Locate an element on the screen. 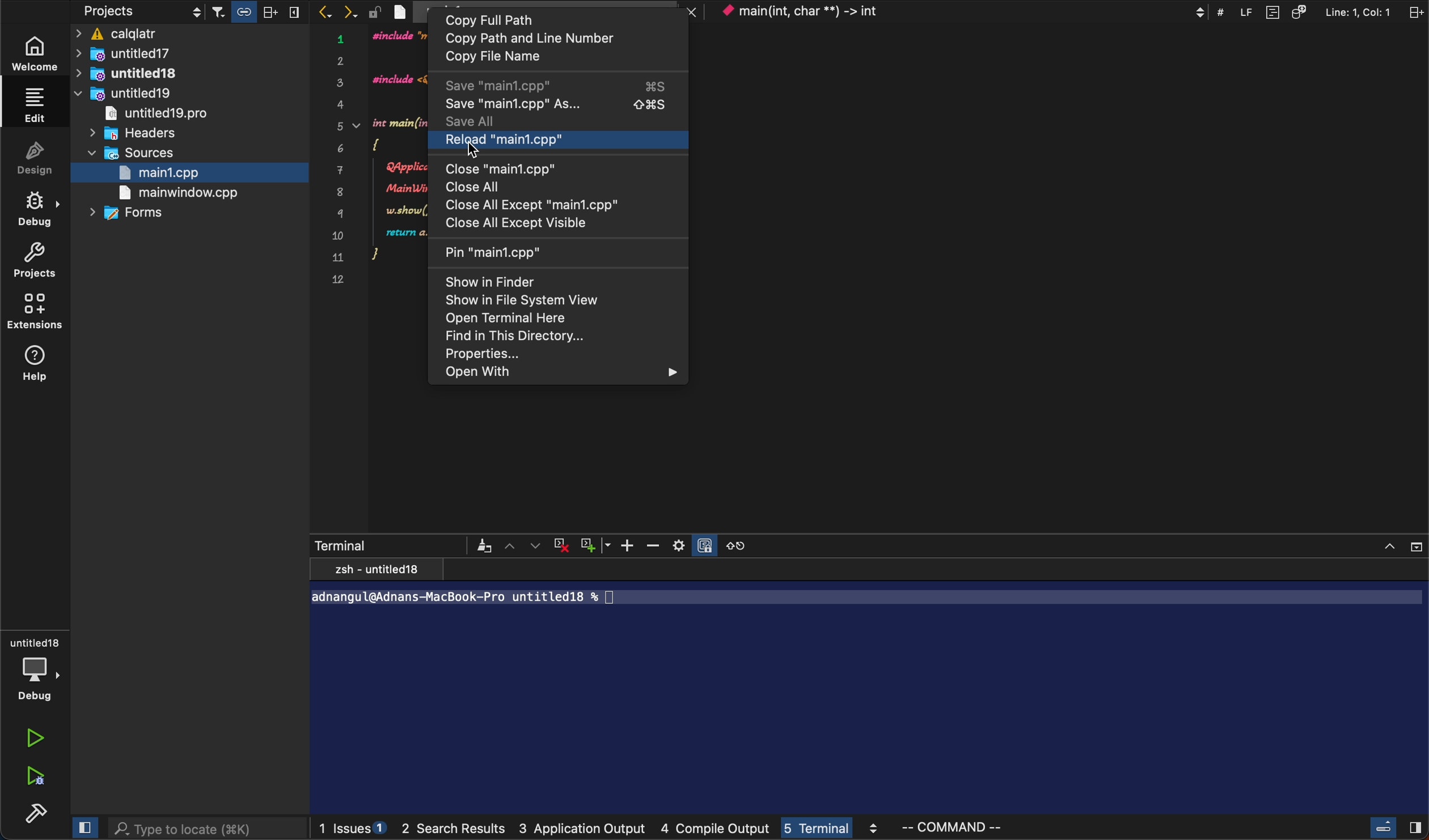  search bar is located at coordinates (197, 830).